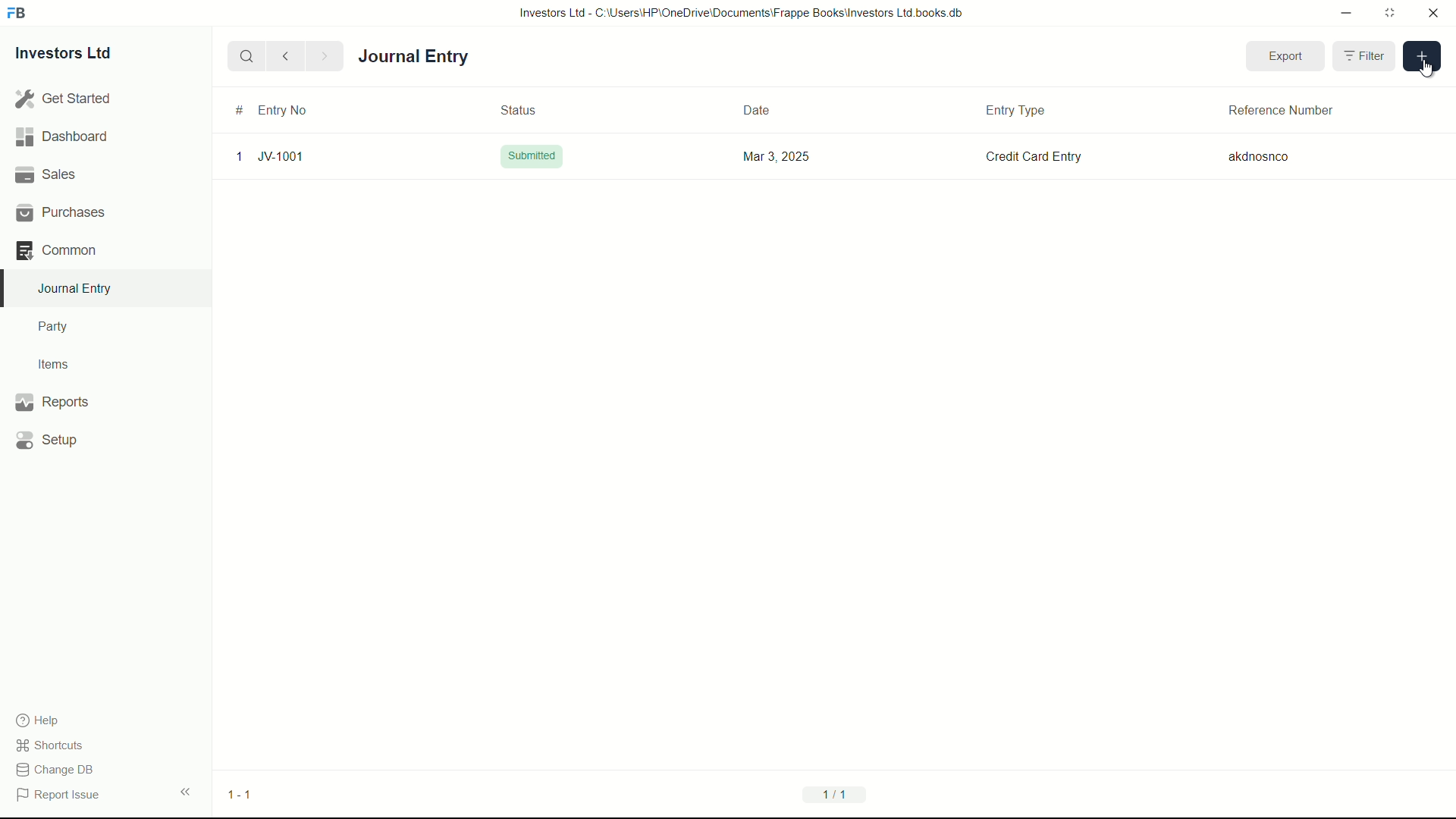 Image resolution: width=1456 pixels, height=819 pixels. Describe the element at coordinates (521, 109) in the screenshot. I see `Status` at that location.